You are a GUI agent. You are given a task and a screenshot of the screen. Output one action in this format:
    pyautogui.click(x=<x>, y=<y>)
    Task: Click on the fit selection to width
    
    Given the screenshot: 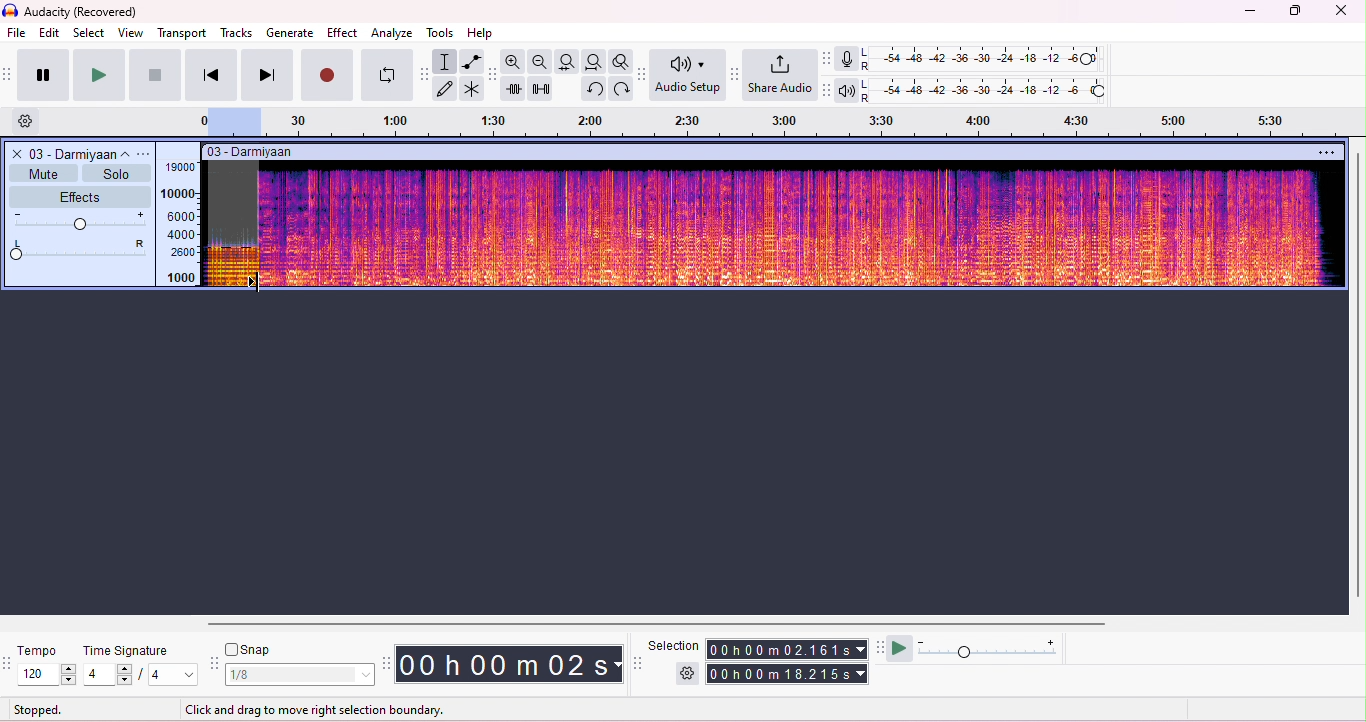 What is the action you would take?
    pyautogui.click(x=567, y=62)
    